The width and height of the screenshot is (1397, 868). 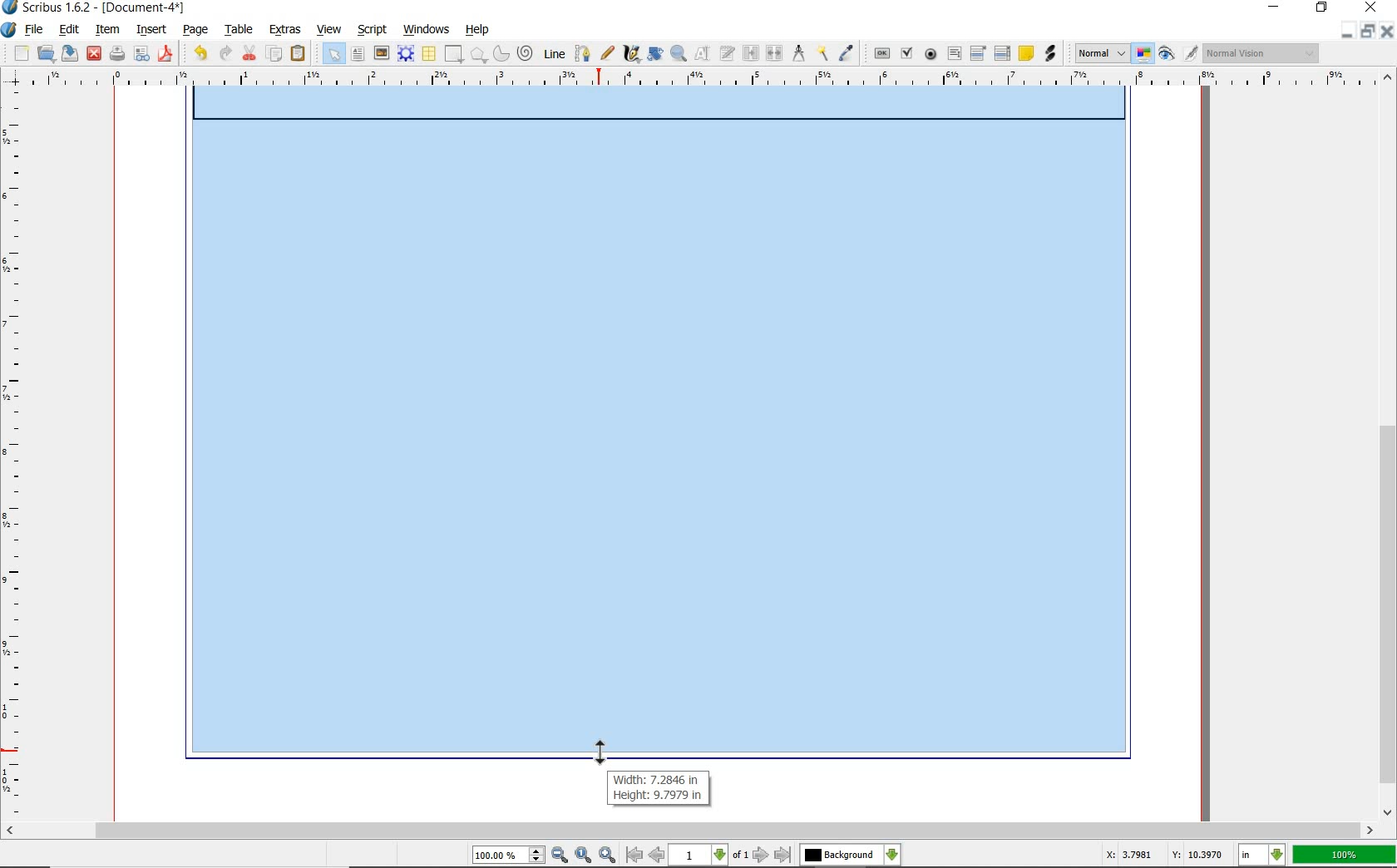 What do you see at coordinates (1387, 445) in the screenshot?
I see `scrollbar` at bounding box center [1387, 445].